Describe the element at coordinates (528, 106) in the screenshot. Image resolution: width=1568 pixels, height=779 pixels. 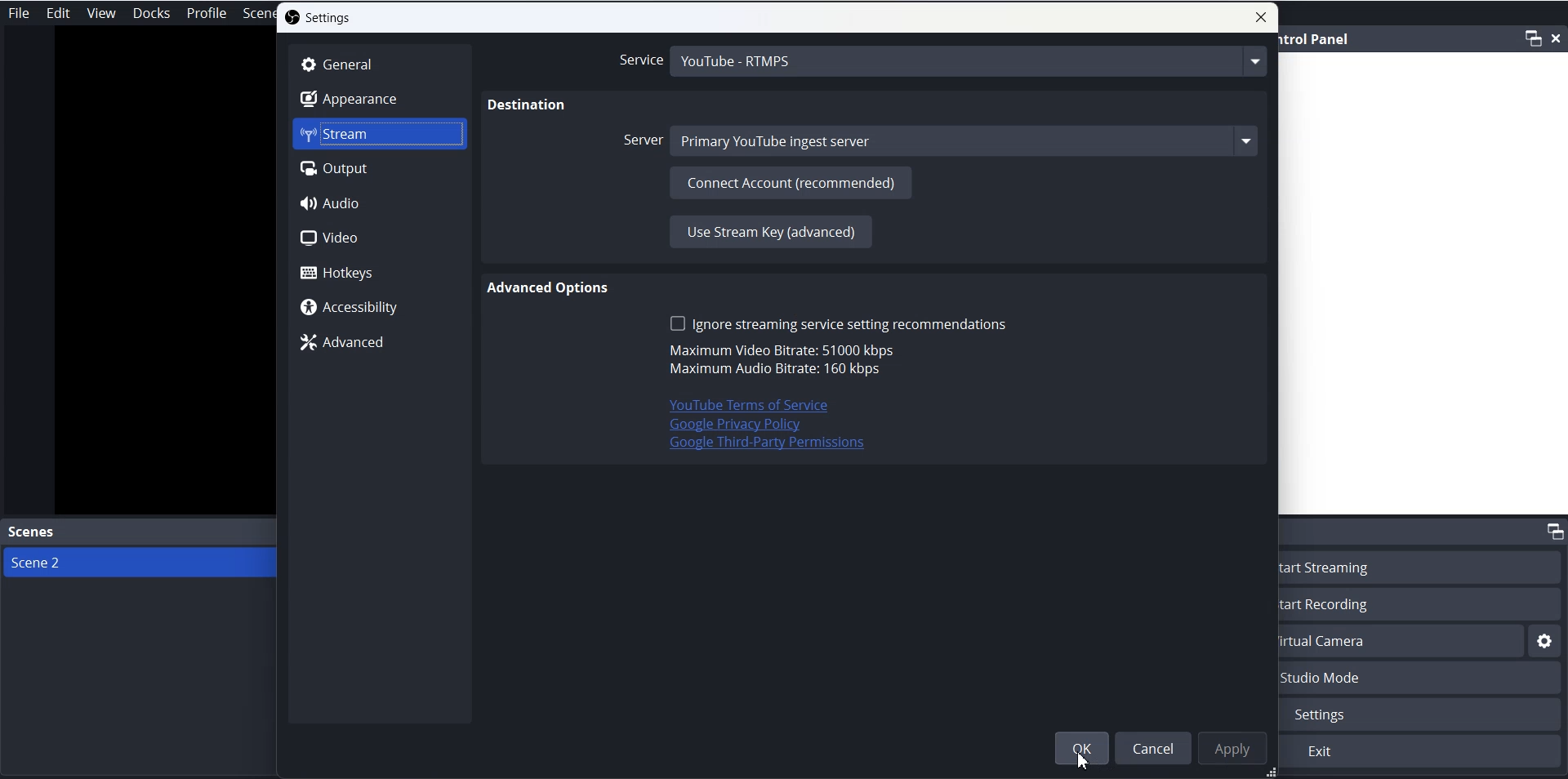
I see `Destination` at that location.